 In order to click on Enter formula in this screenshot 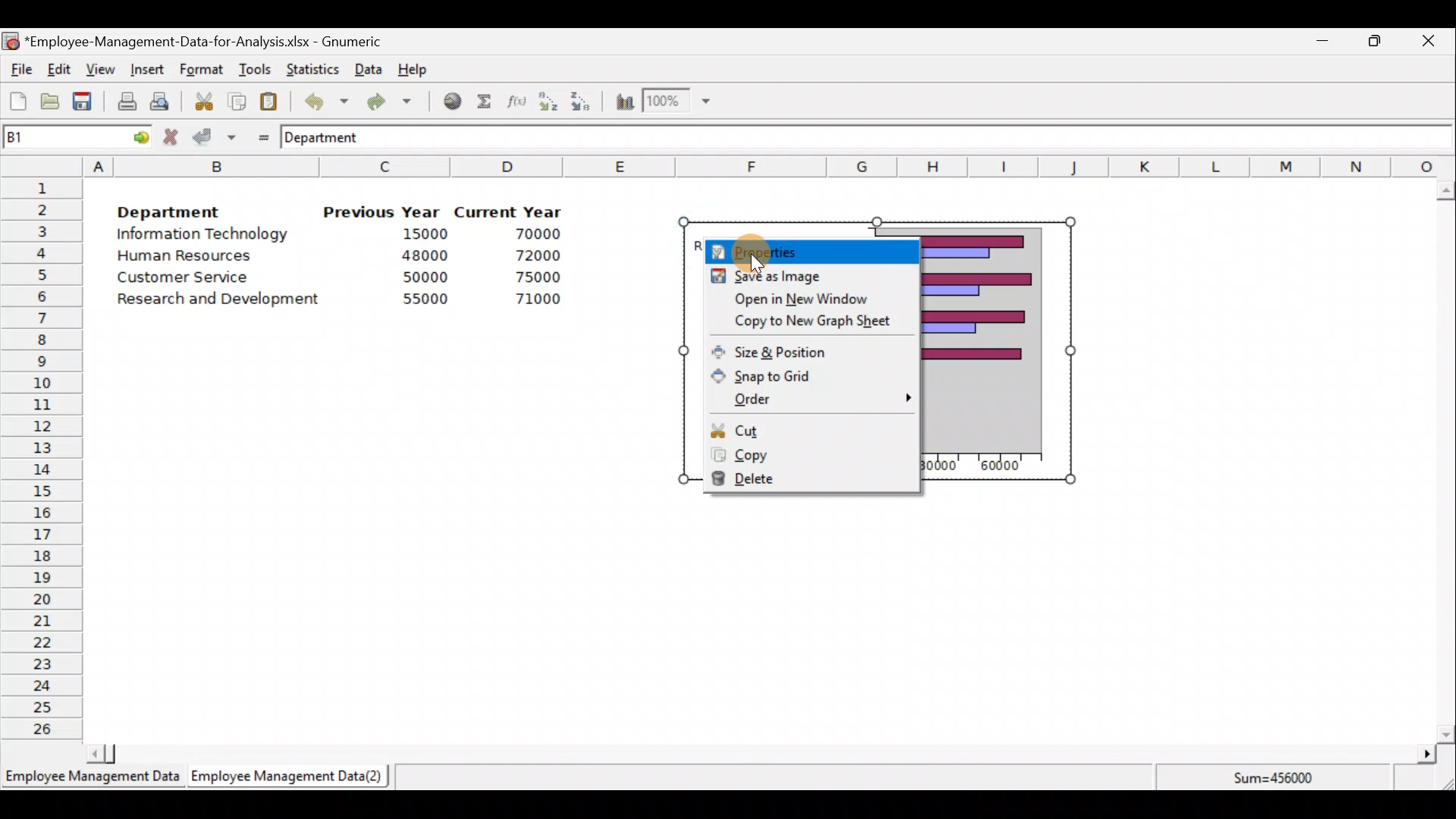, I will do `click(259, 134)`.